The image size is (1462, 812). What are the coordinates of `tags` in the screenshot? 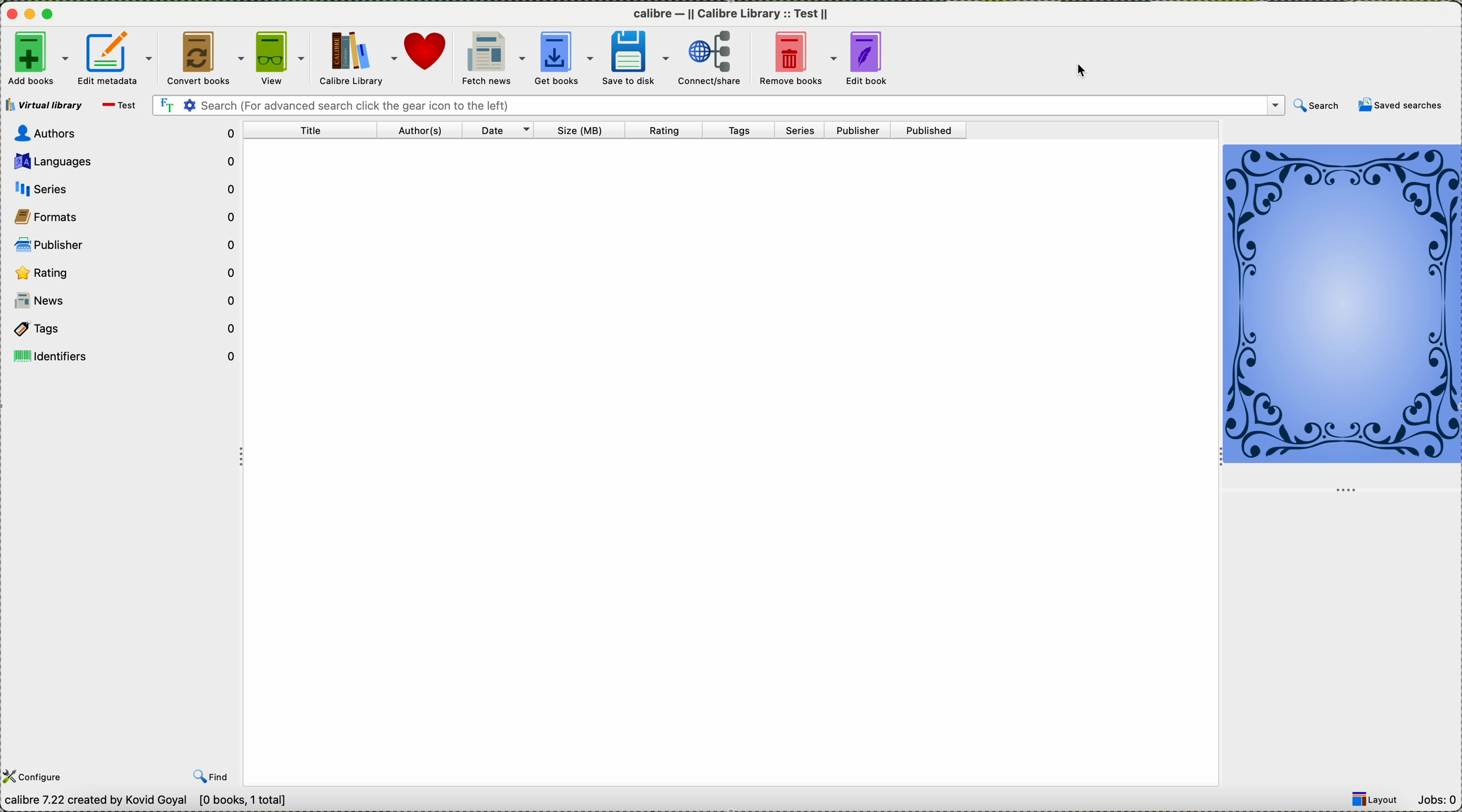 It's located at (125, 329).